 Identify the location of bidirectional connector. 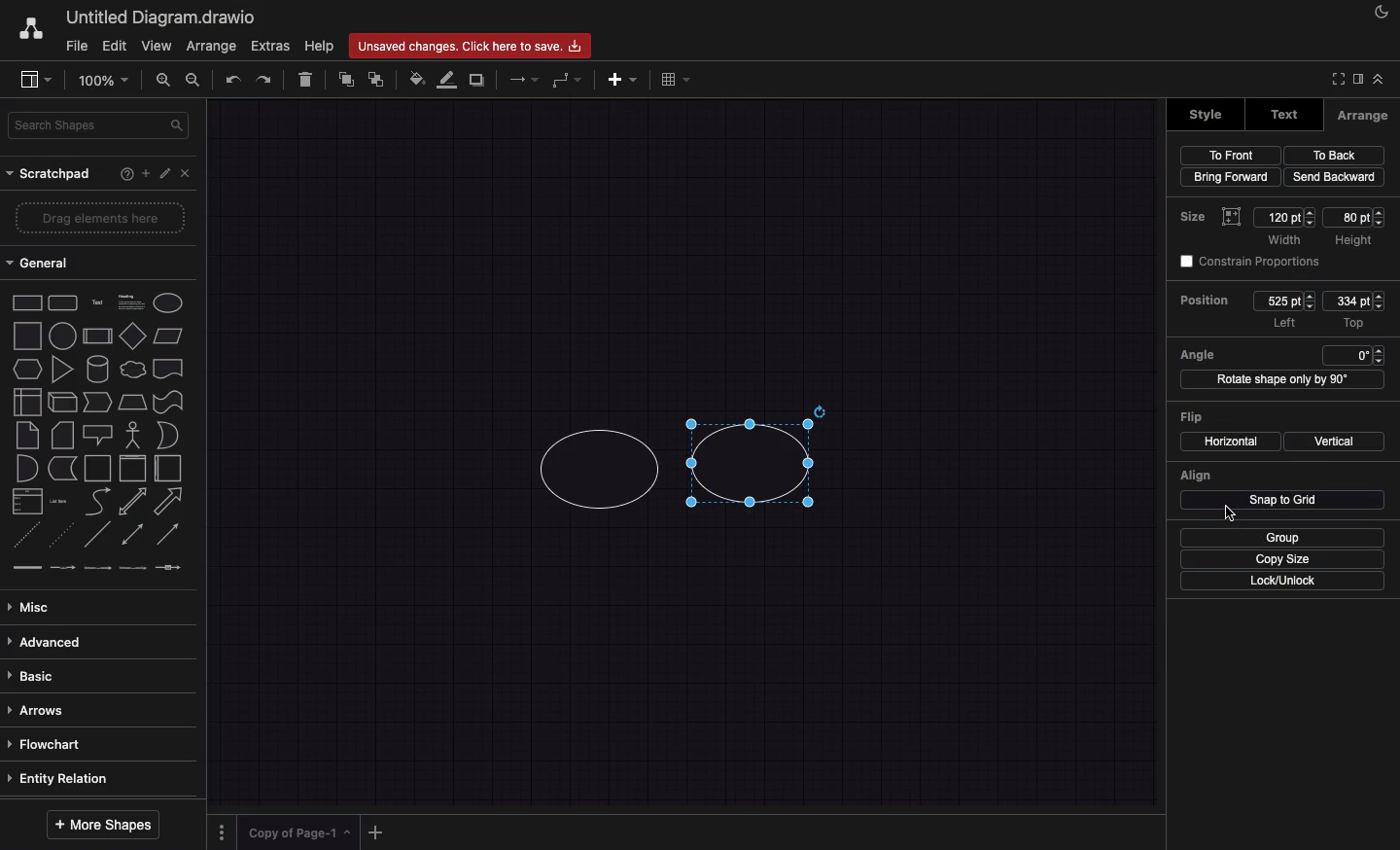
(131, 533).